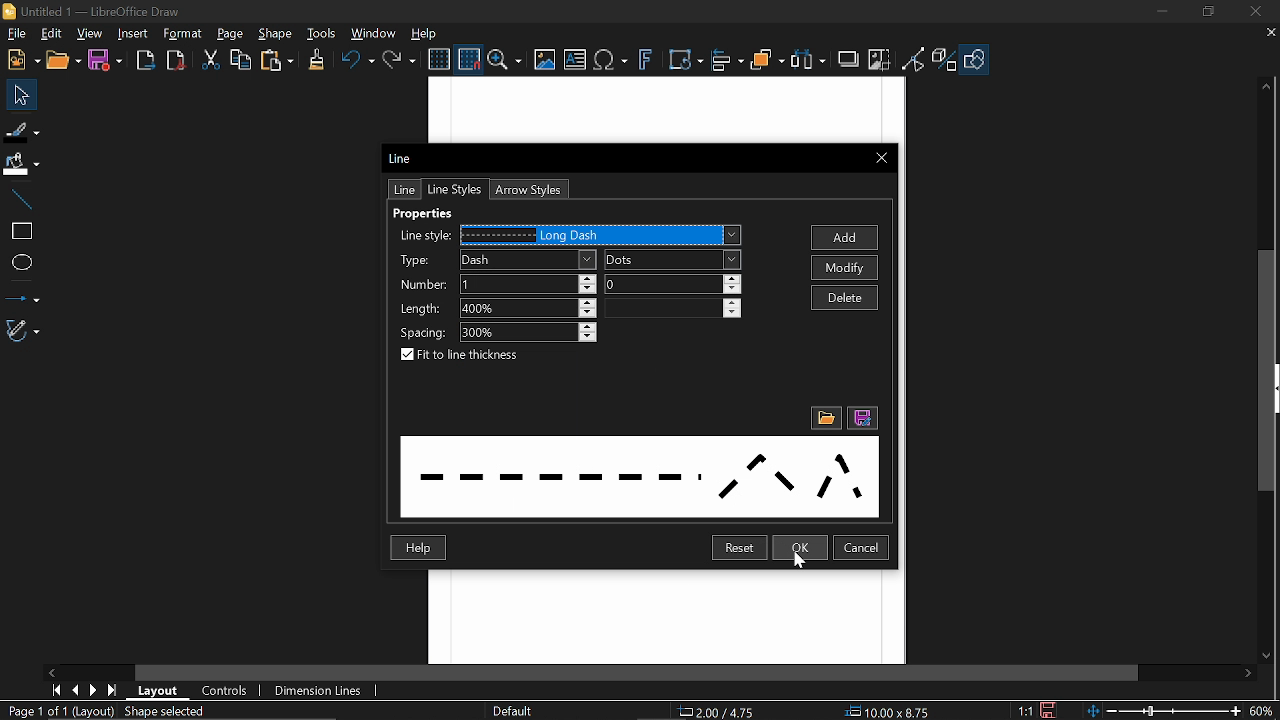 The height and width of the screenshot is (720, 1280). Describe the element at coordinates (974, 61) in the screenshot. I see `Shapes` at that location.